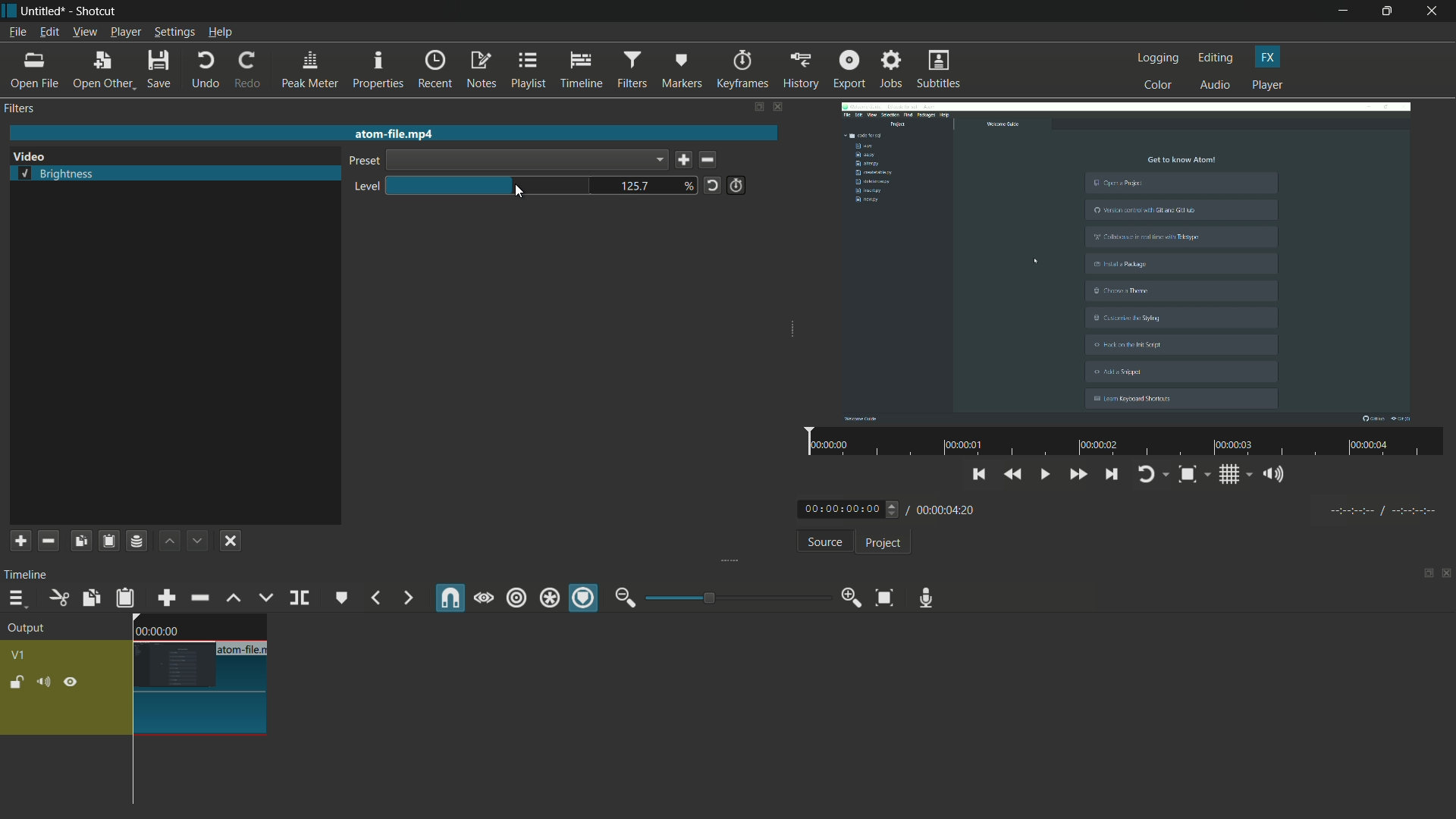  Describe the element at coordinates (631, 70) in the screenshot. I see `filters` at that location.